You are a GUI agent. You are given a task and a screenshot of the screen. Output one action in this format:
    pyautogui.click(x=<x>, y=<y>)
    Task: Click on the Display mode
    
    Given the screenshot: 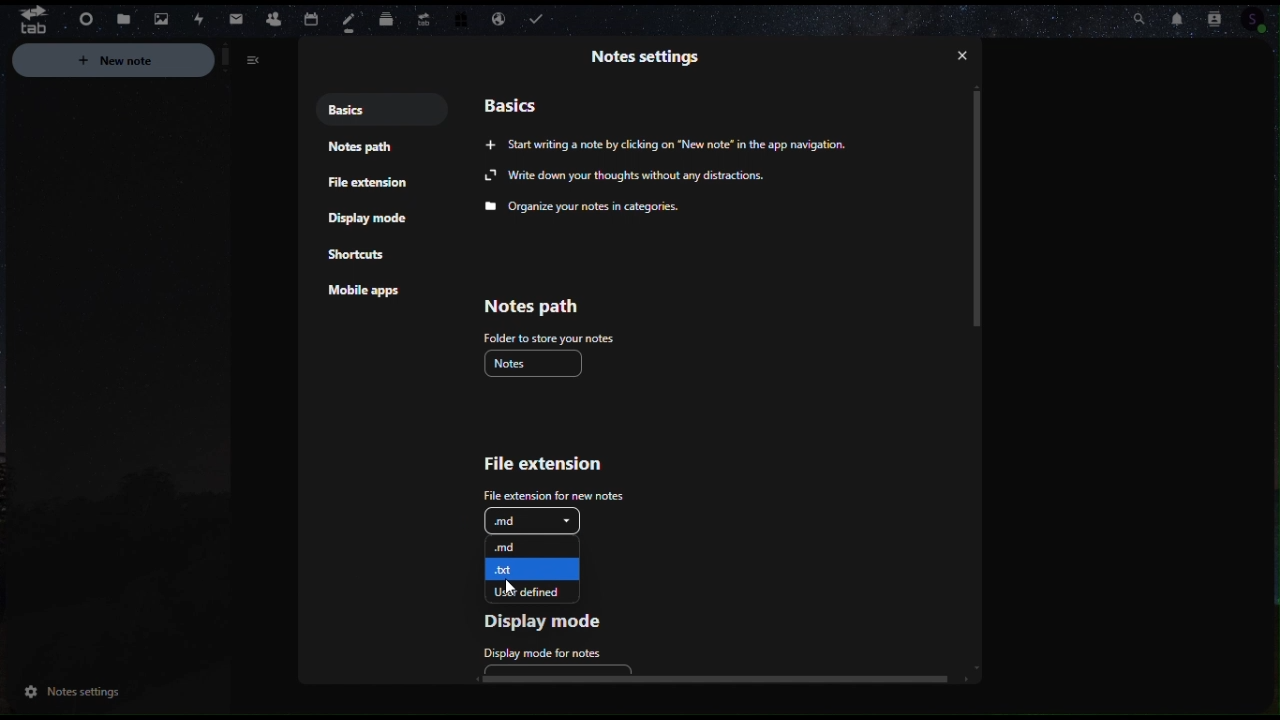 What is the action you would take?
    pyautogui.click(x=555, y=620)
    